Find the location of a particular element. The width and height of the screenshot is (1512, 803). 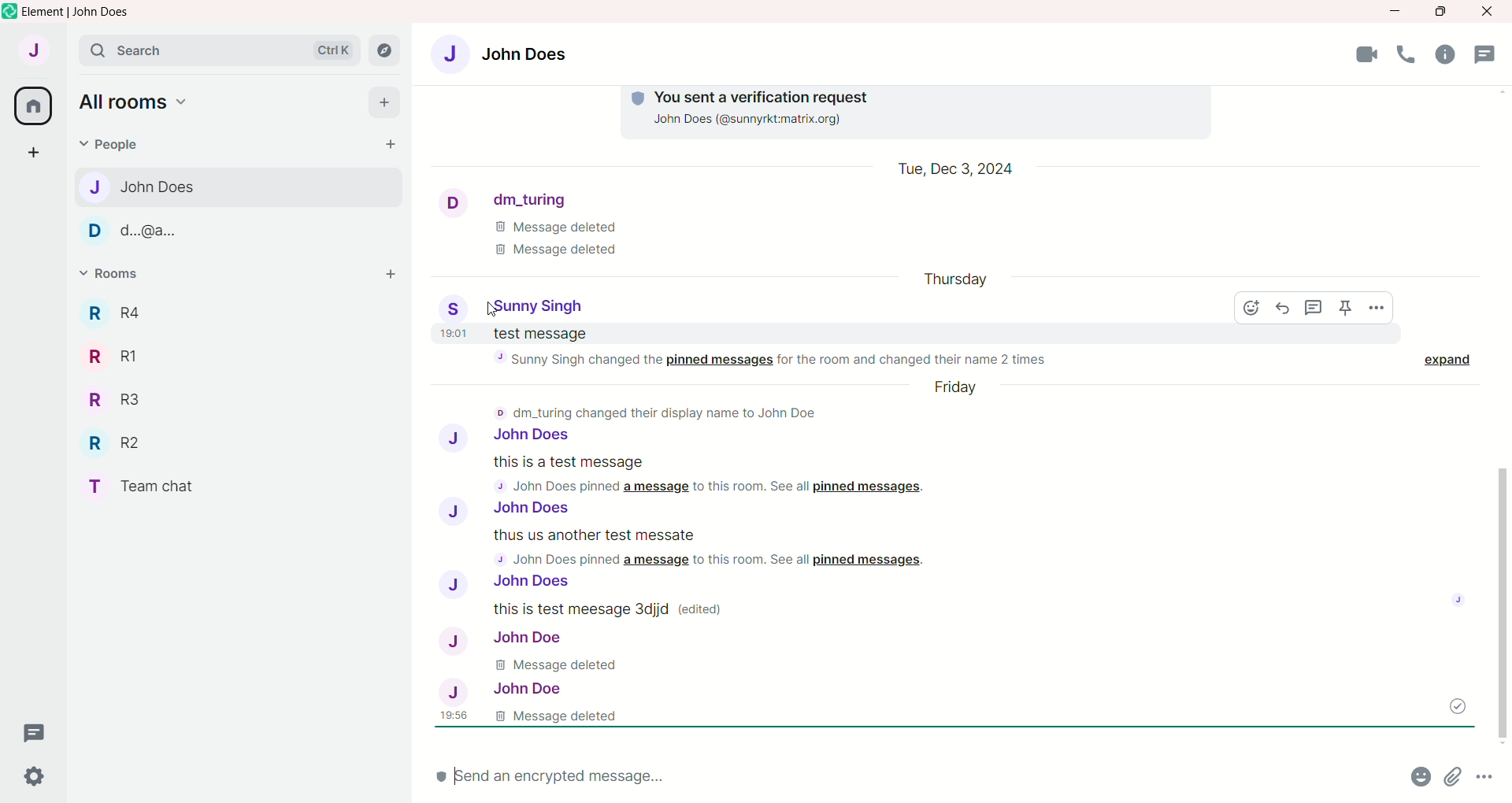

reply is located at coordinates (1284, 309).